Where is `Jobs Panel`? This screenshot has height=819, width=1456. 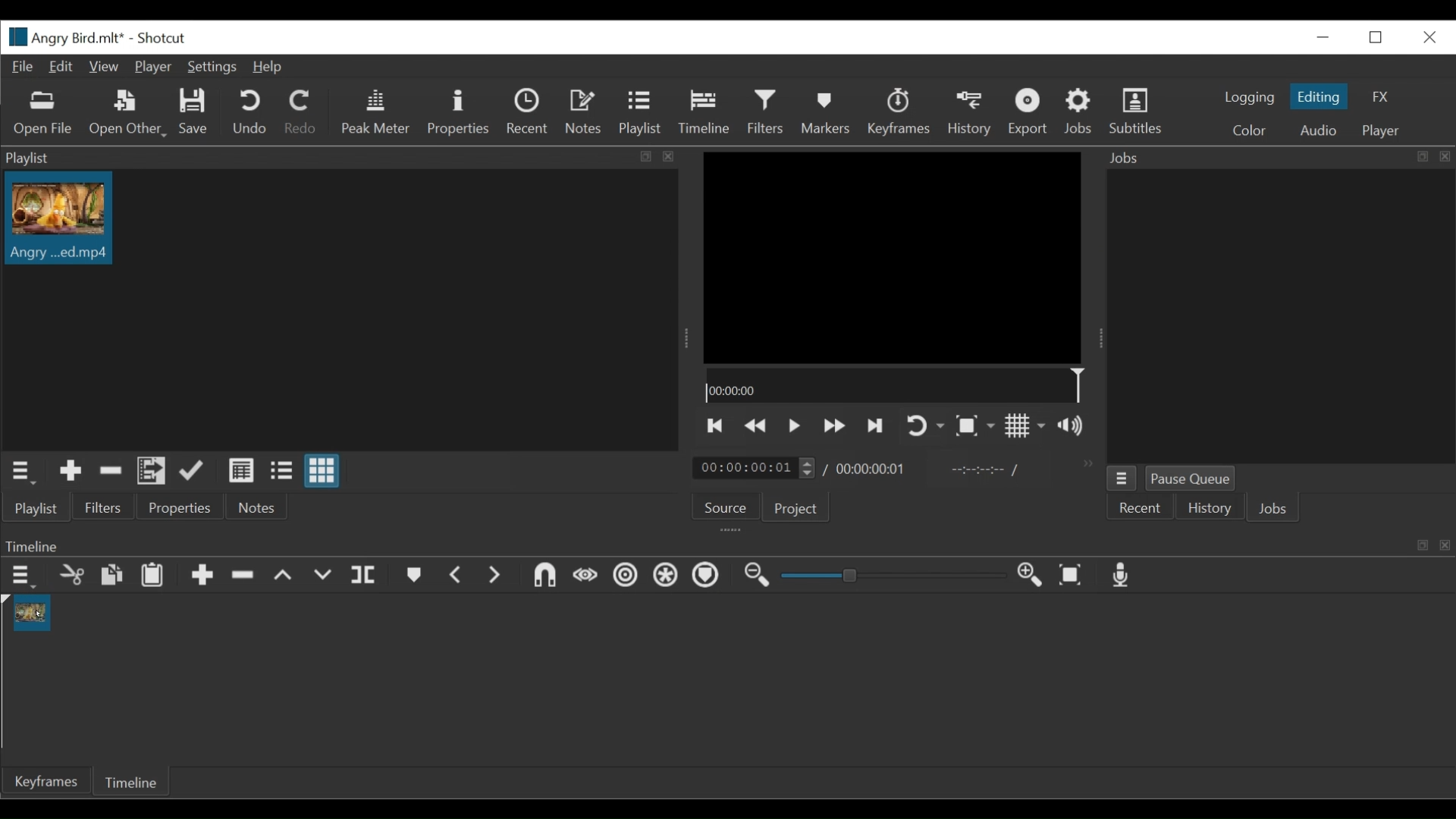
Jobs Panel is located at coordinates (1279, 315).